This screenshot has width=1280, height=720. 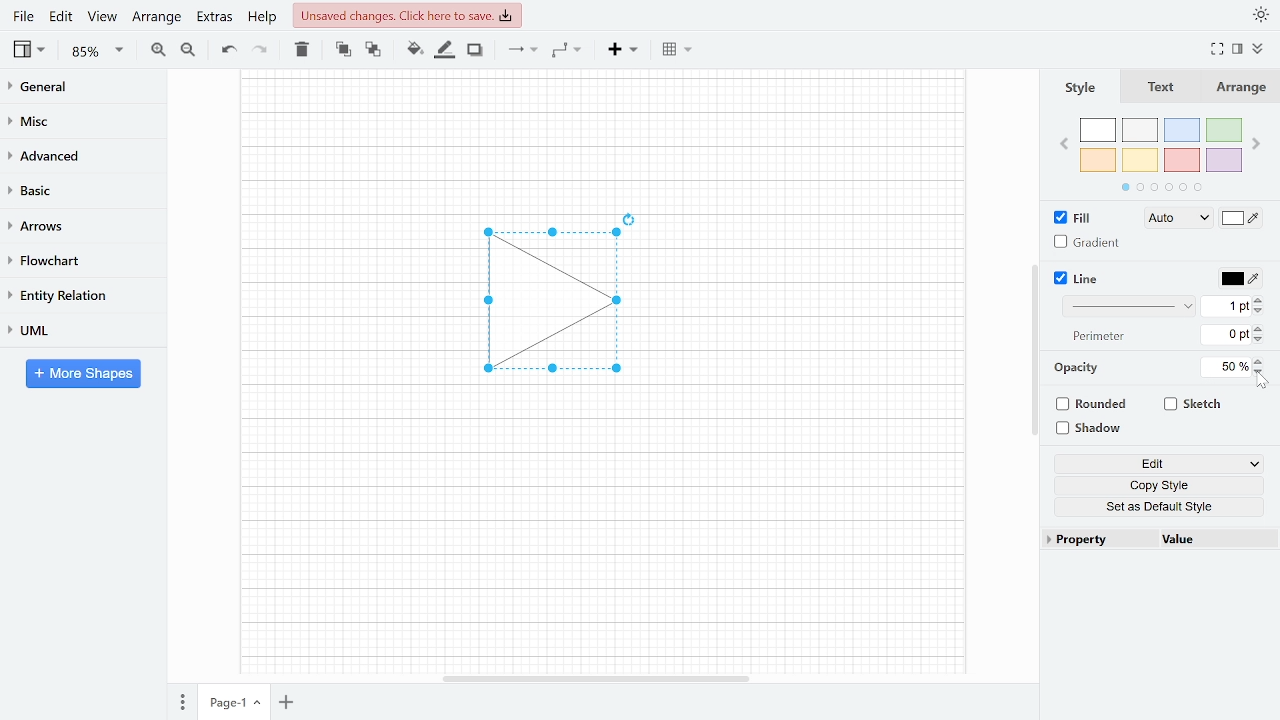 I want to click on Fill color, so click(x=1242, y=220).